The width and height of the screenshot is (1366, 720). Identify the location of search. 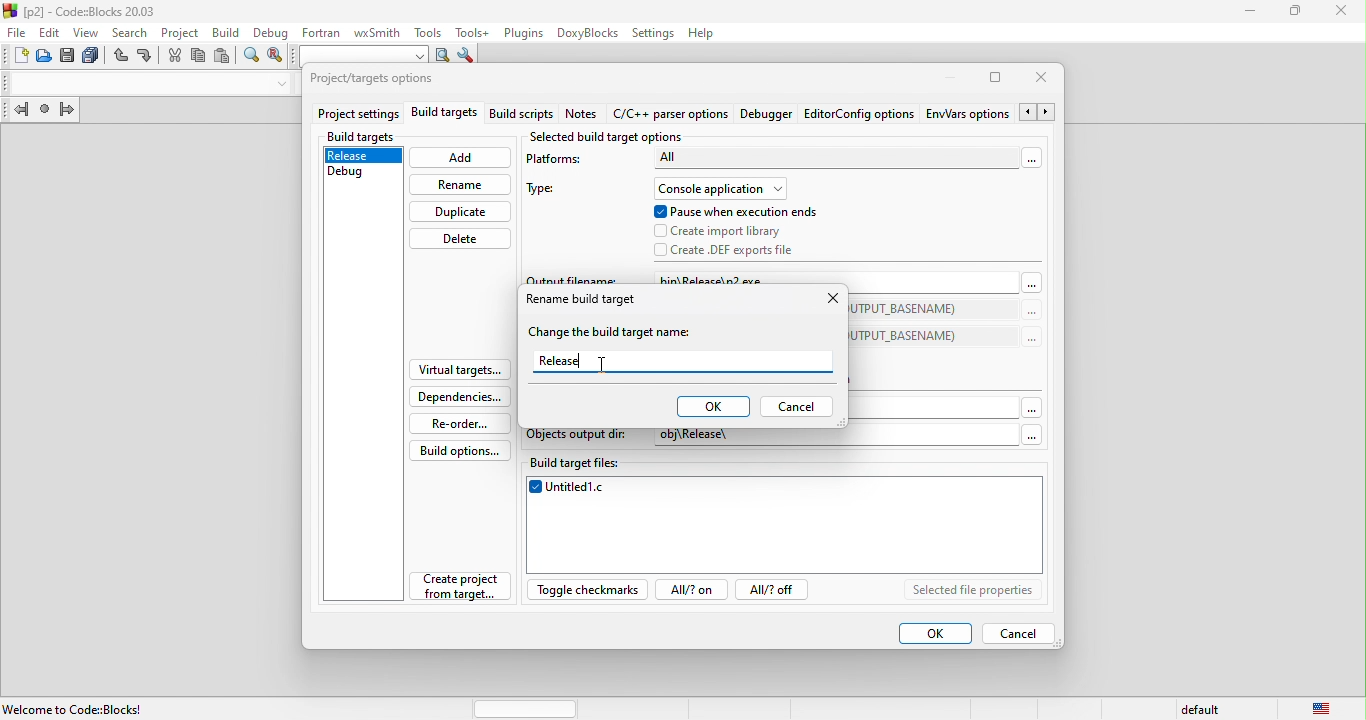
(132, 31).